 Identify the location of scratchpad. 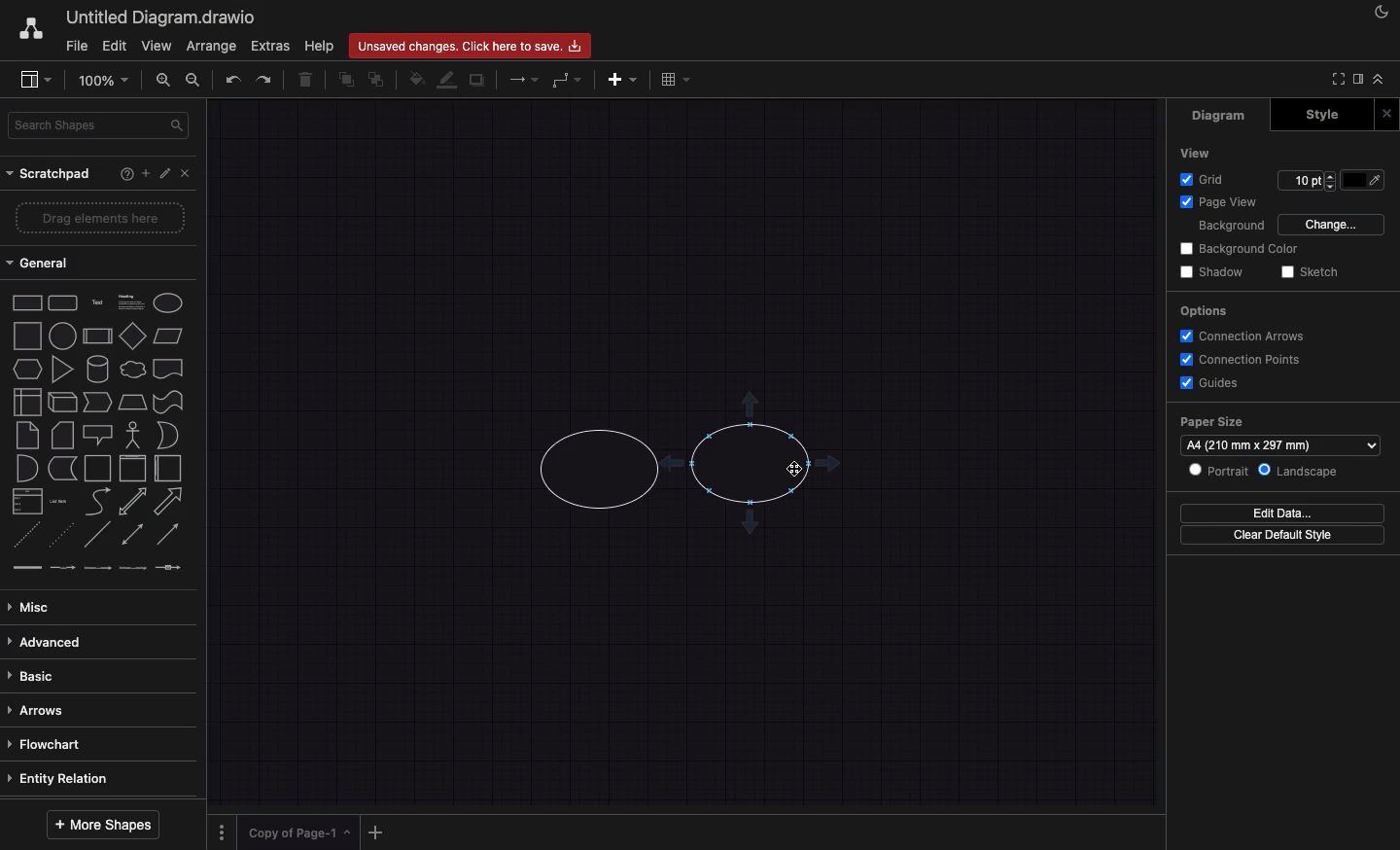
(51, 175).